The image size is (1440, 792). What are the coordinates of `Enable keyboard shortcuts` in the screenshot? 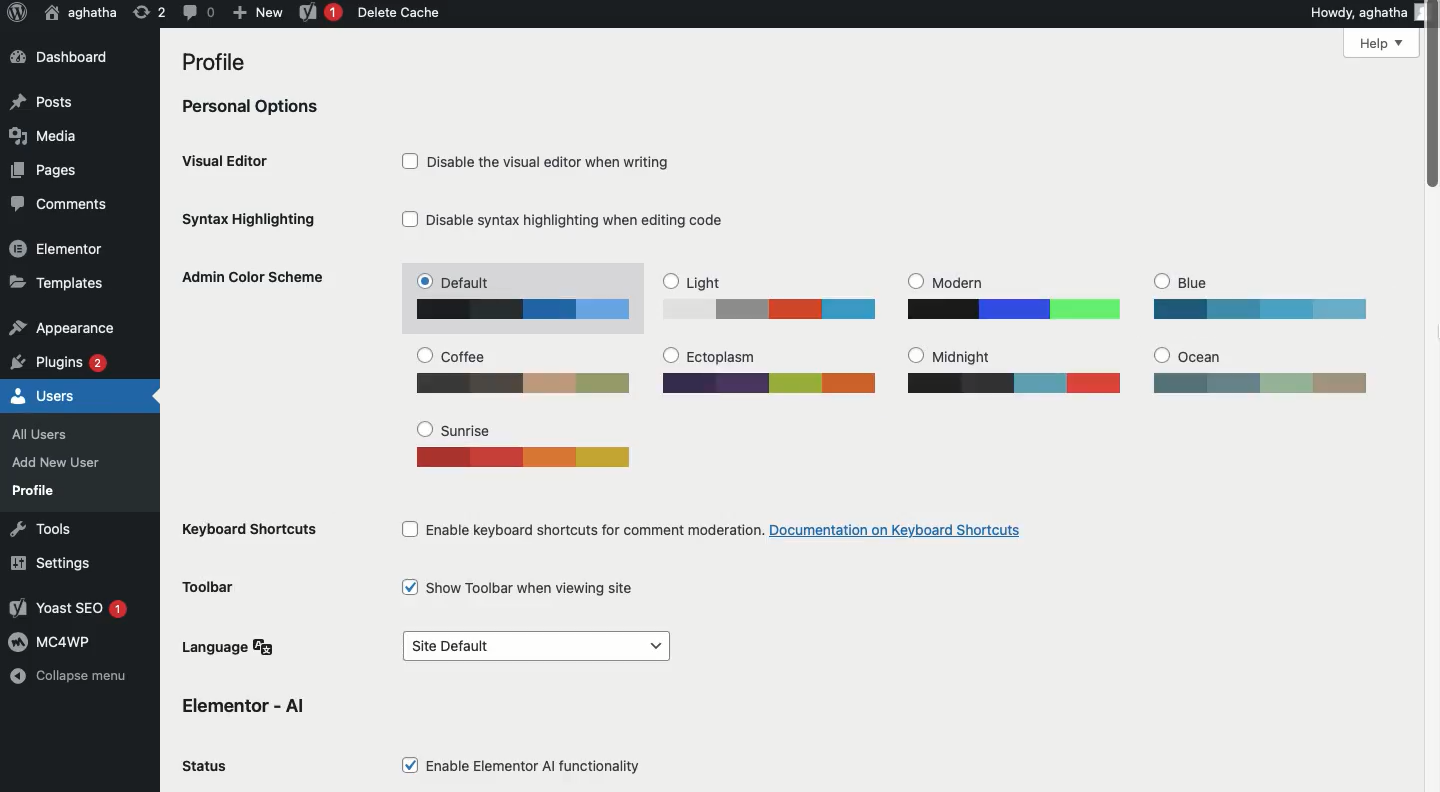 It's located at (714, 526).